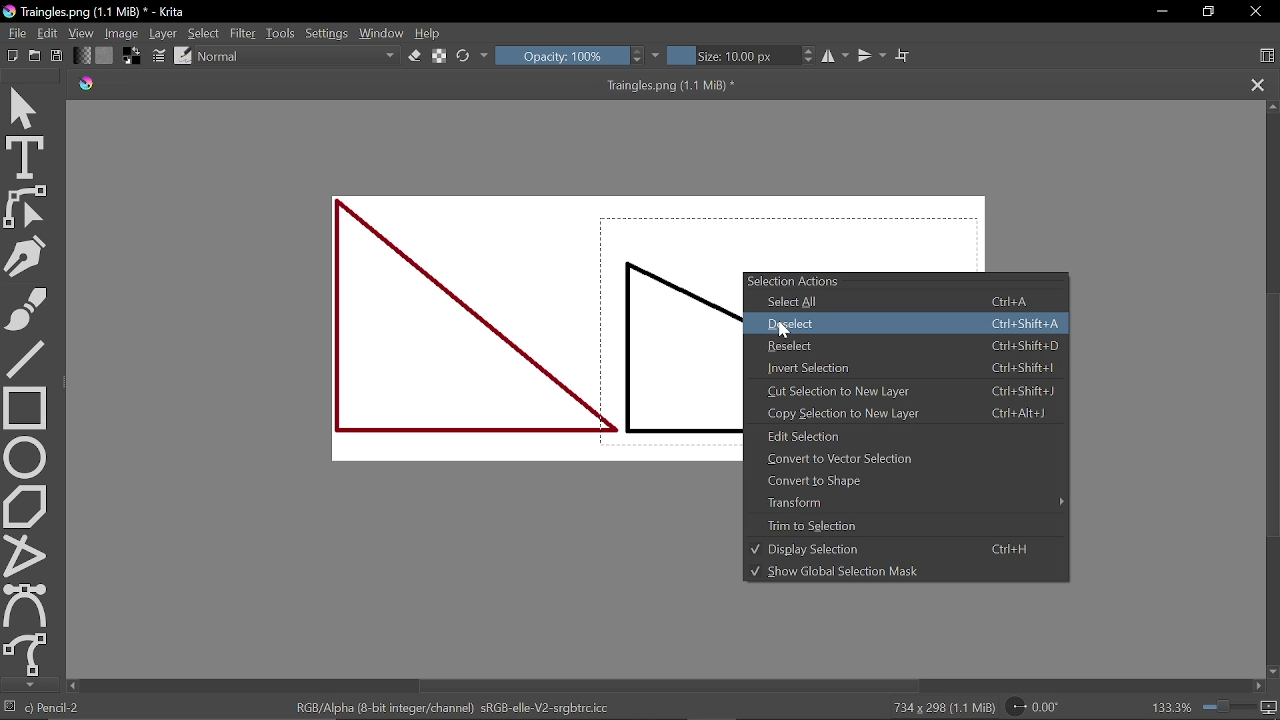 The width and height of the screenshot is (1280, 720). Describe the element at coordinates (72, 686) in the screenshot. I see `Move left` at that location.